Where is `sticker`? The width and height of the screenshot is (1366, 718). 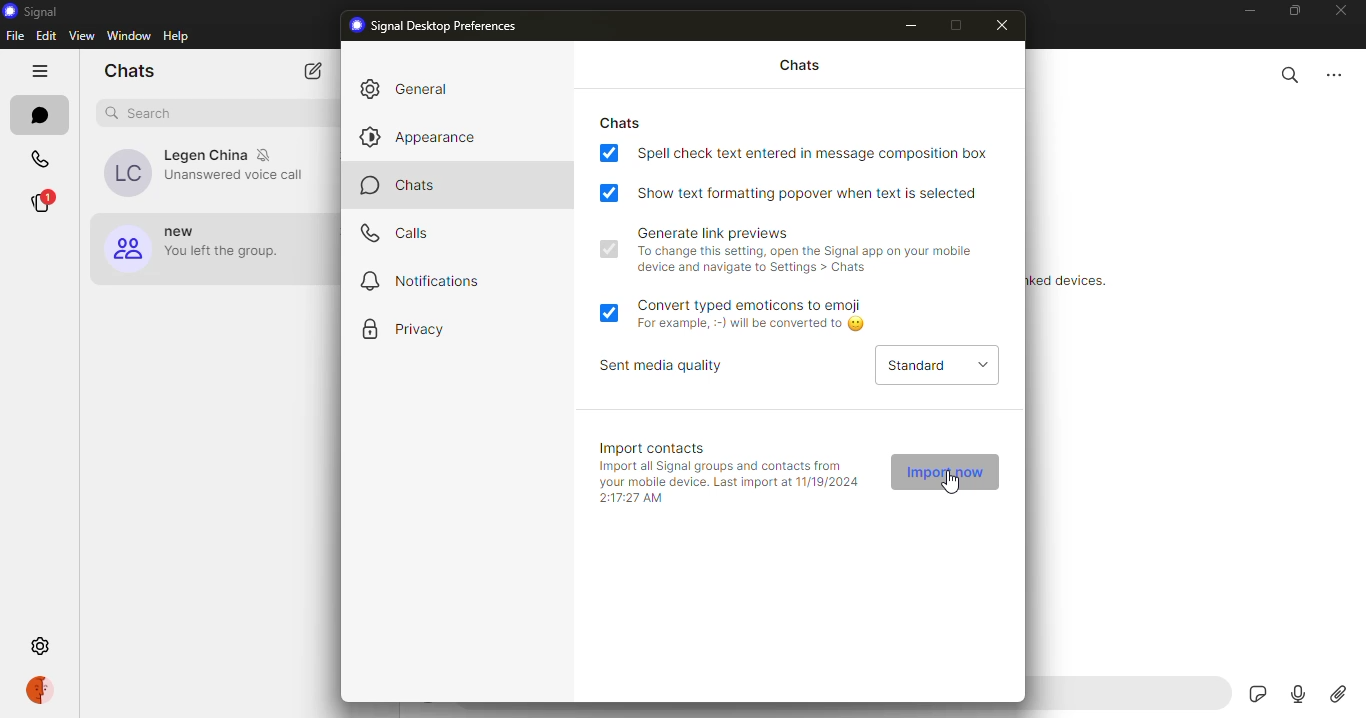
sticker is located at coordinates (1257, 695).